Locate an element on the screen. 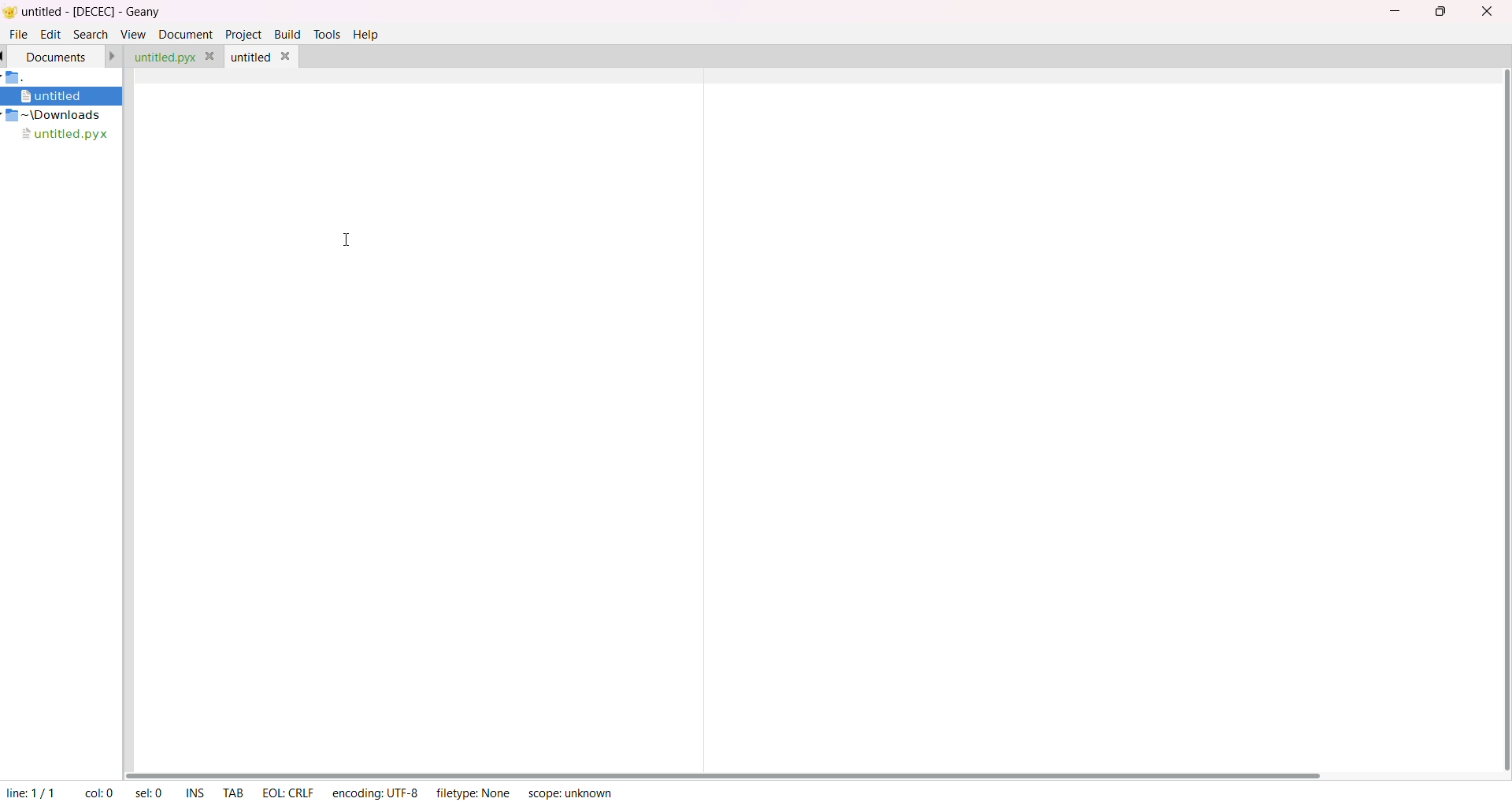 Image resolution: width=1512 pixels, height=802 pixels. next is located at coordinates (114, 55).